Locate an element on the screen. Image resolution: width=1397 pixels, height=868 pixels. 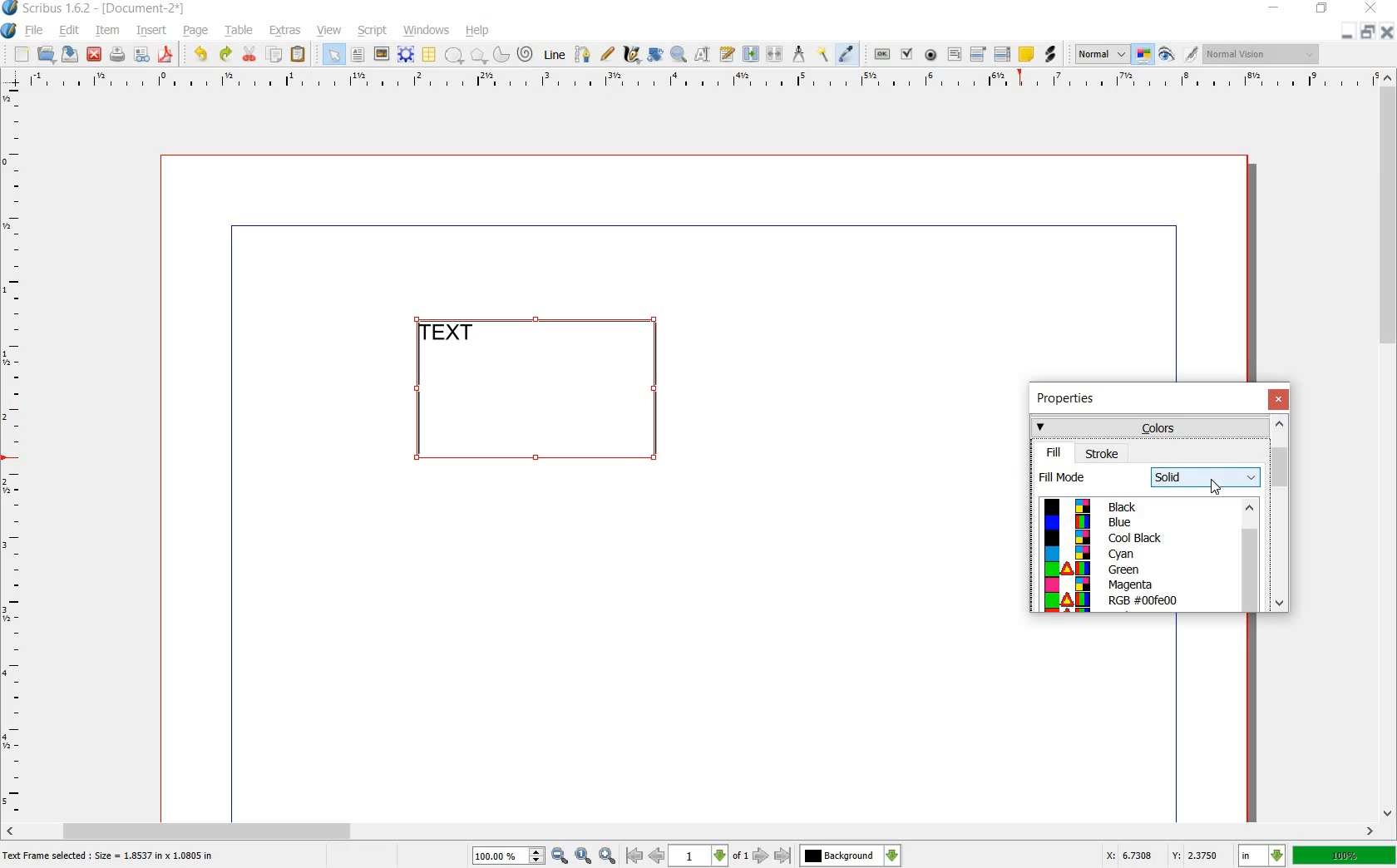
zoom in or out is located at coordinates (678, 56).